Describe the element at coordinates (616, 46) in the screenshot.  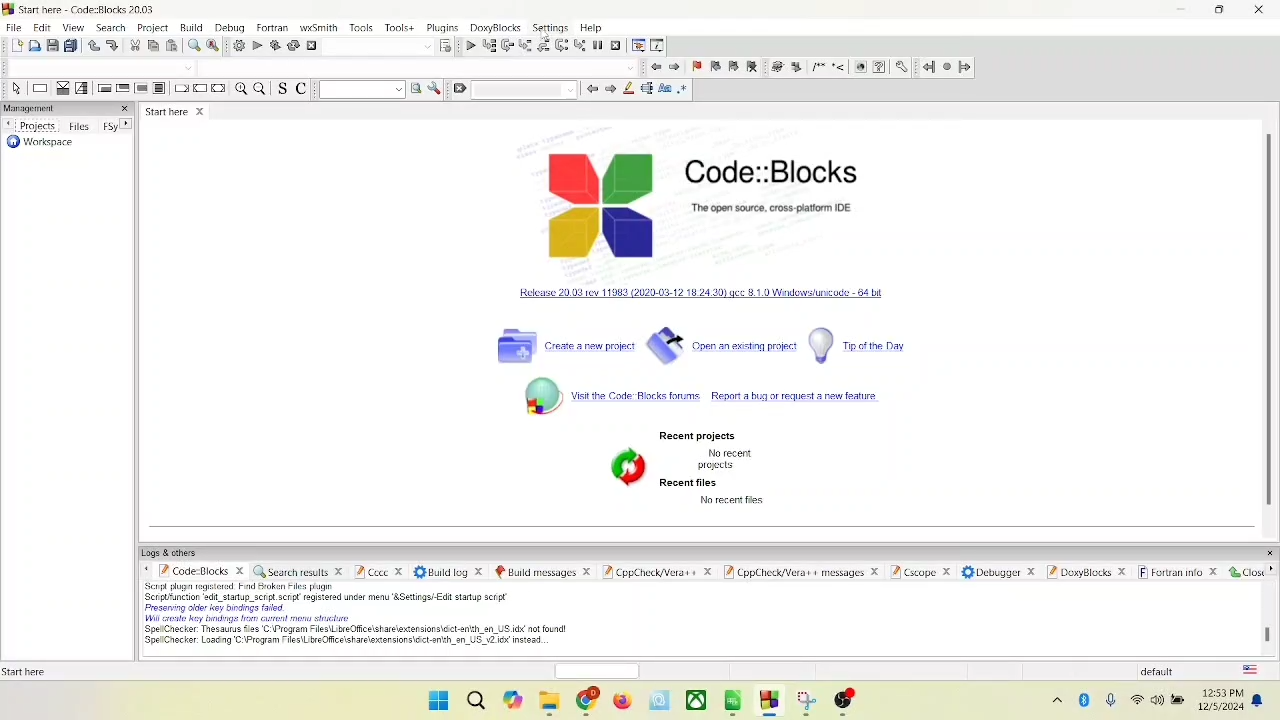
I see `stop debugger` at that location.